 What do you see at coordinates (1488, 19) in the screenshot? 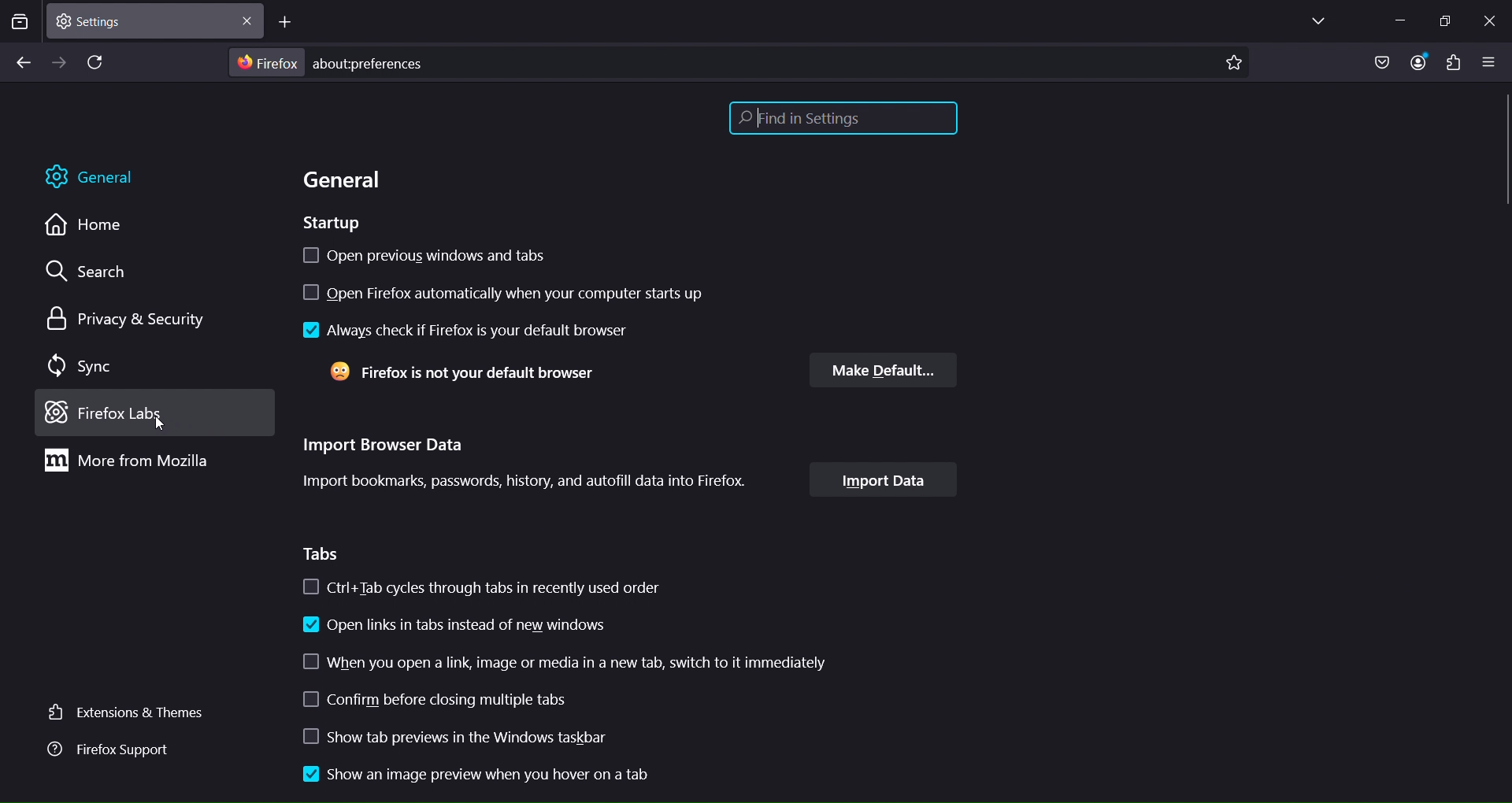
I see `close` at bounding box center [1488, 19].